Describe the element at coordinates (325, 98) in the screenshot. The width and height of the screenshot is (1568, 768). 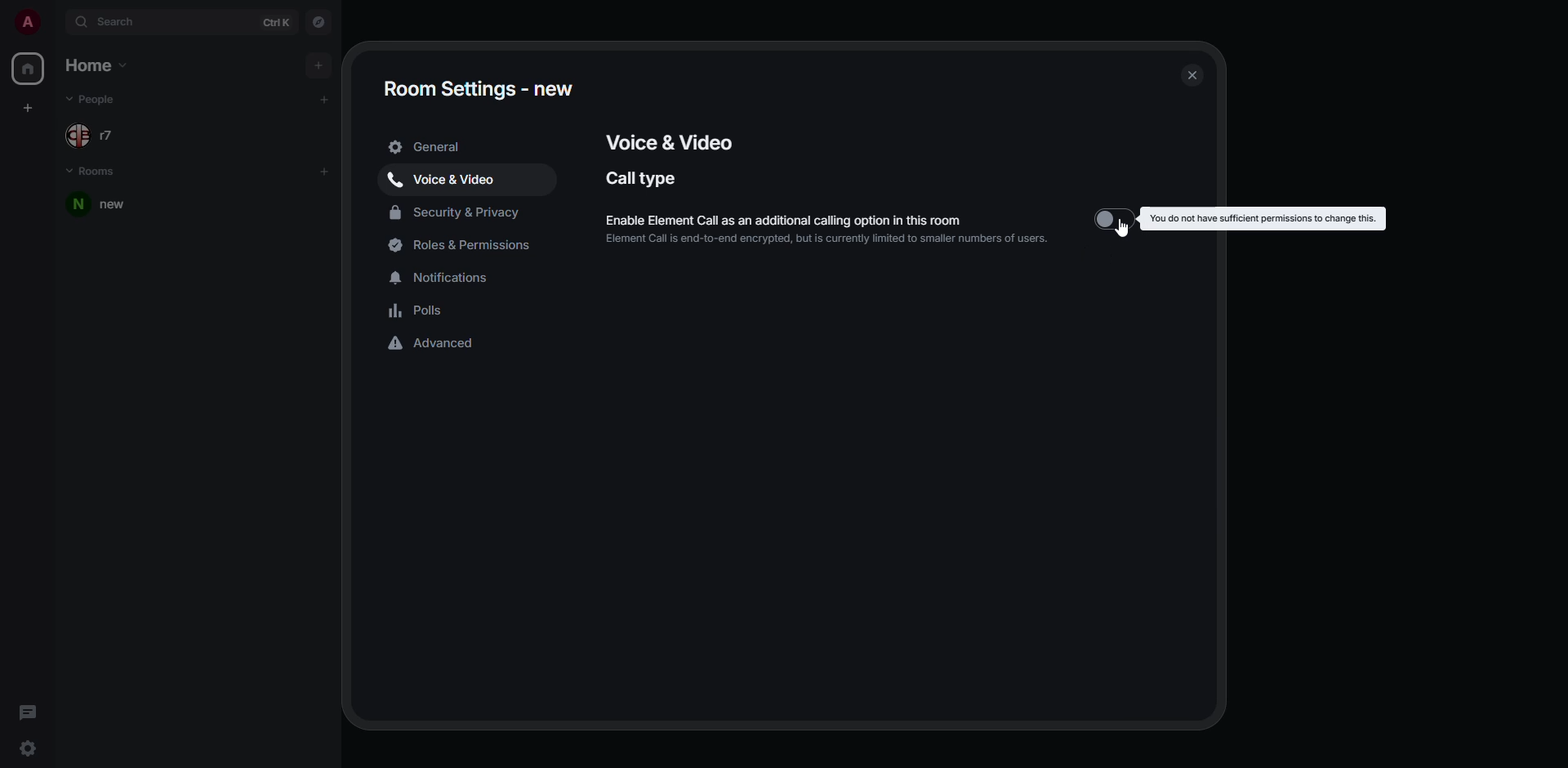
I see `add` at that location.